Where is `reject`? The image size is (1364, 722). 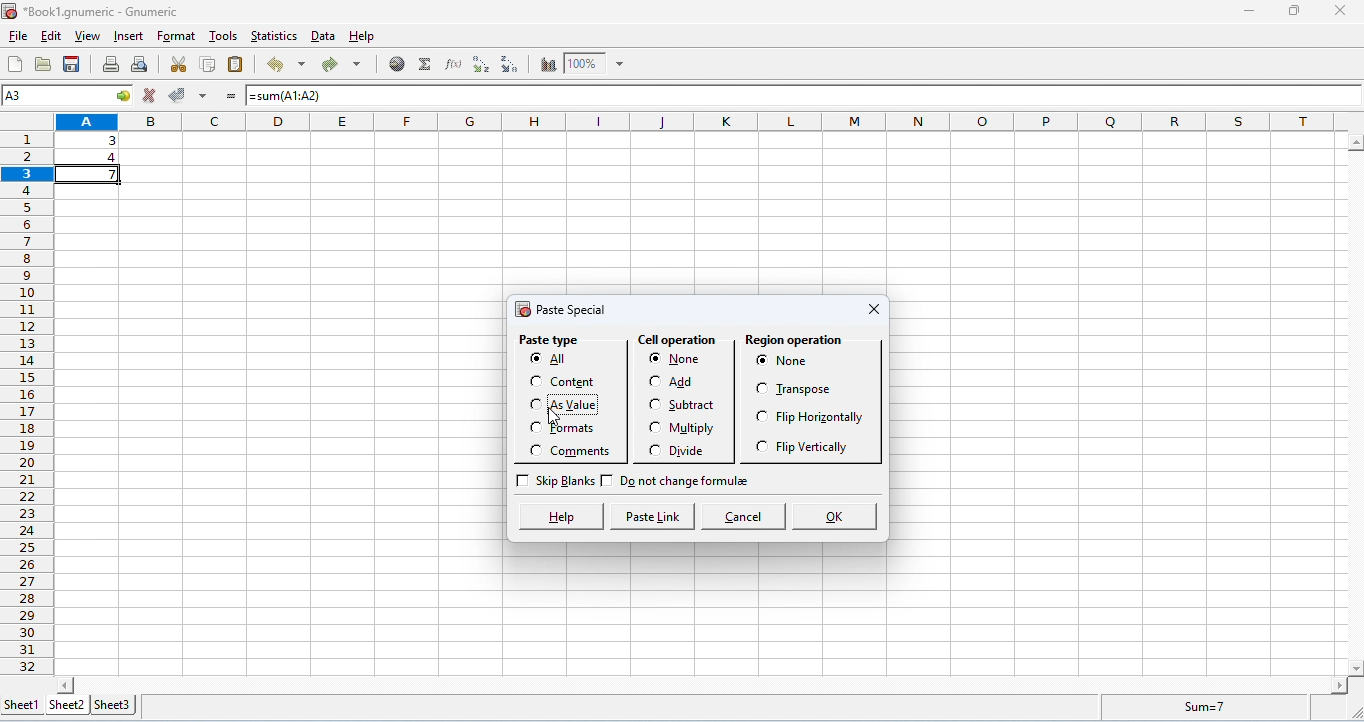
reject is located at coordinates (149, 95).